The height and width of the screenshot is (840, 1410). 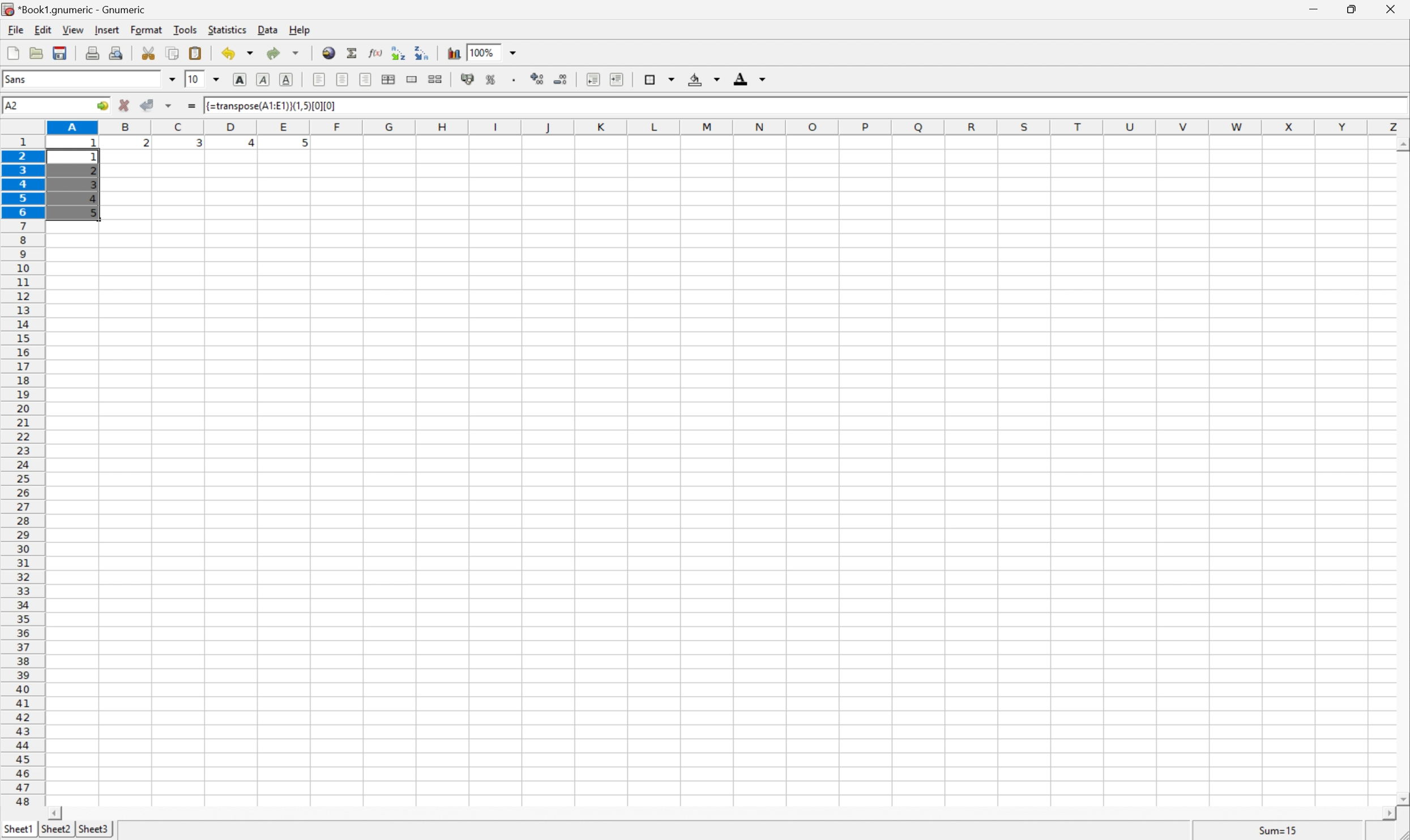 What do you see at coordinates (1390, 815) in the screenshot?
I see `scroll right` at bounding box center [1390, 815].